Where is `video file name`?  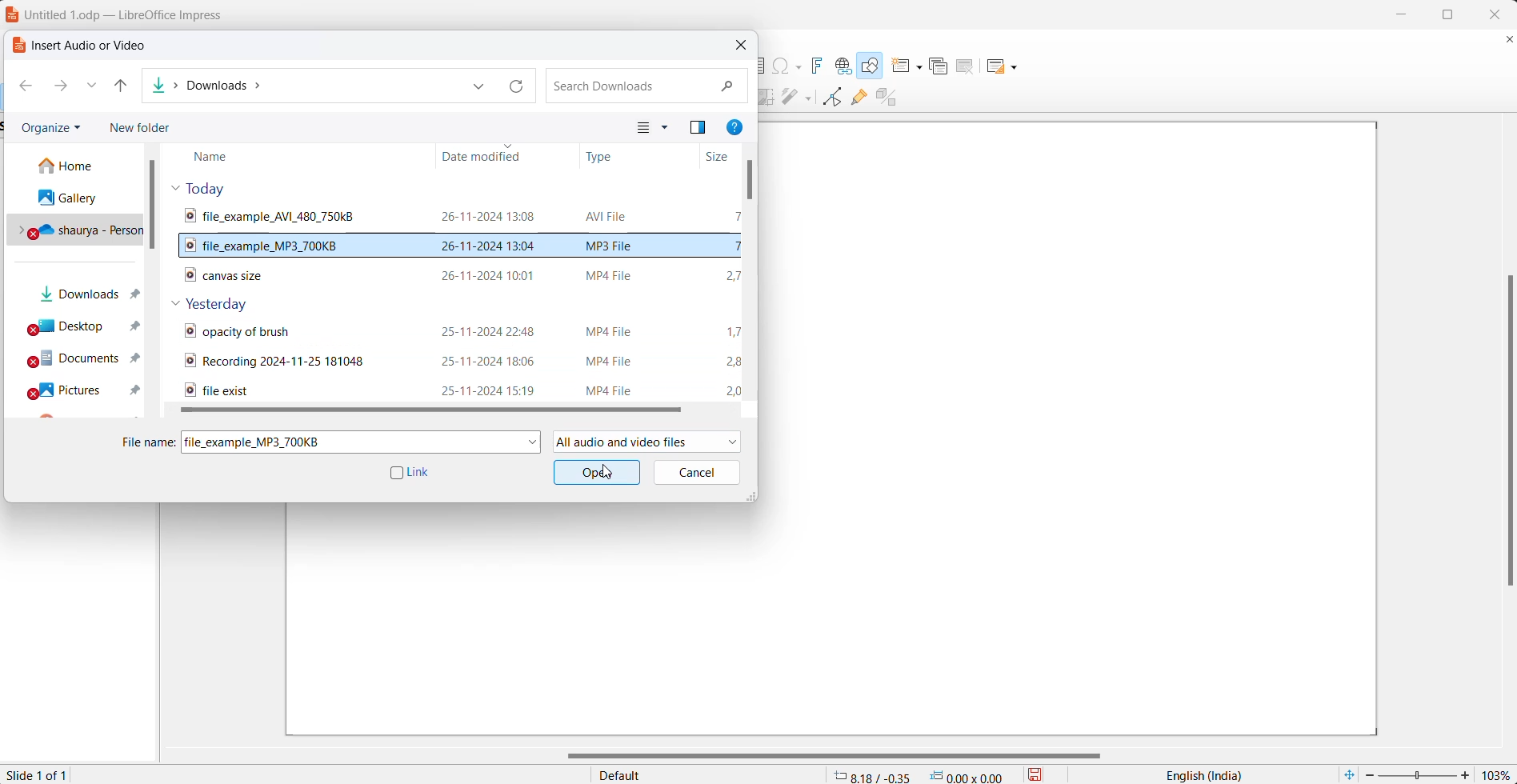 video file name is located at coordinates (282, 216).